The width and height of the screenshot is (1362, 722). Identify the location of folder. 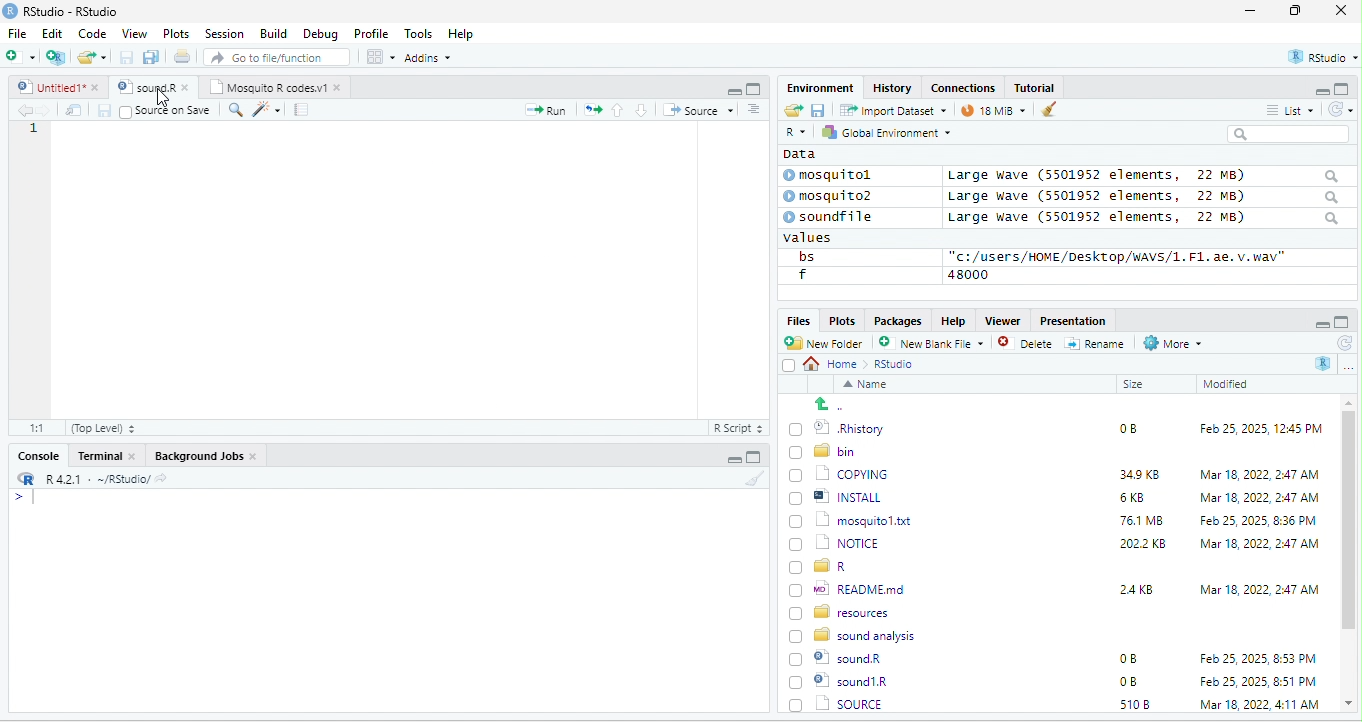
(94, 57).